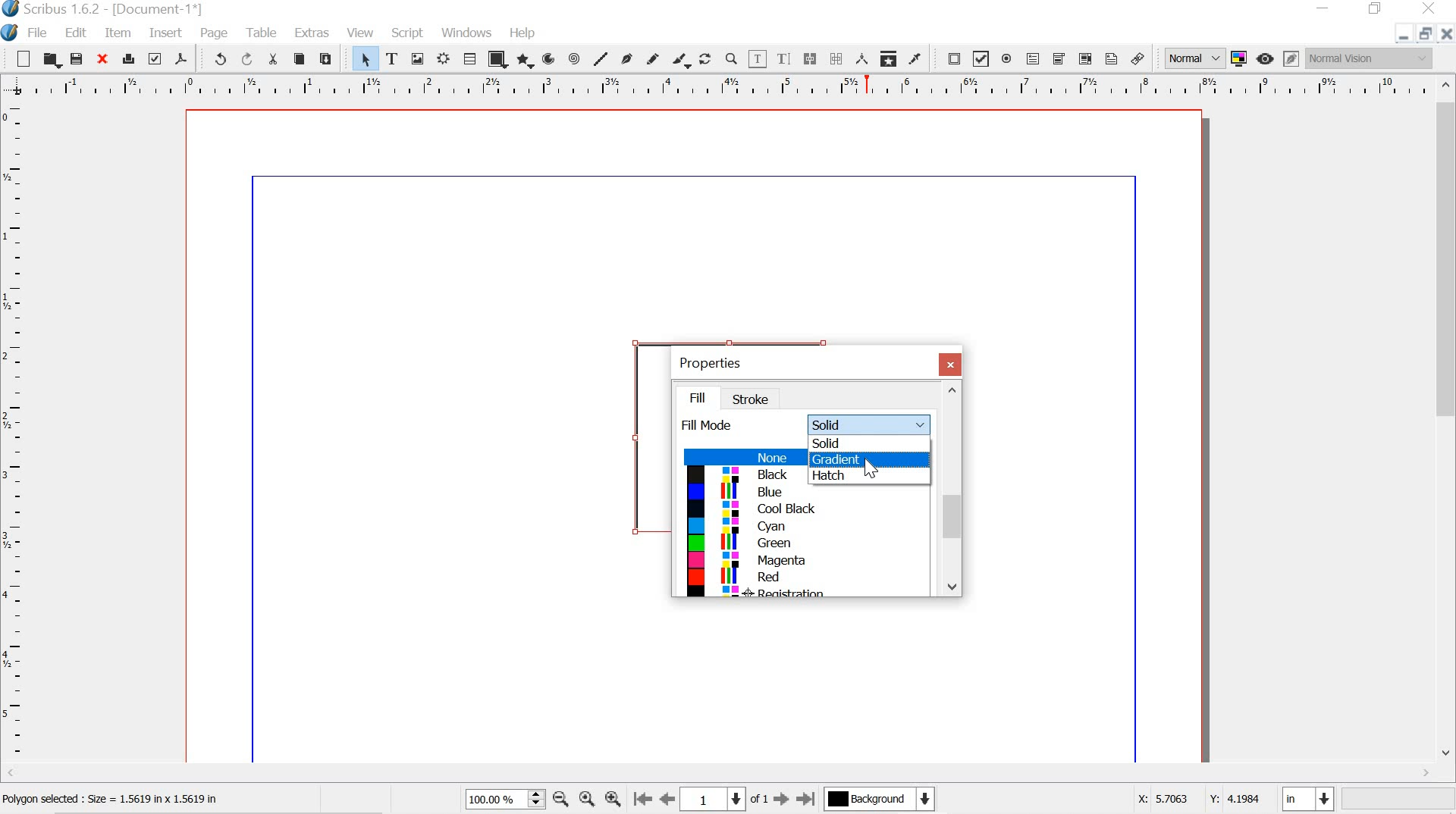 This screenshot has width=1456, height=814. I want to click on X: 5.7063 Y: 4.1984, so click(1189, 801).